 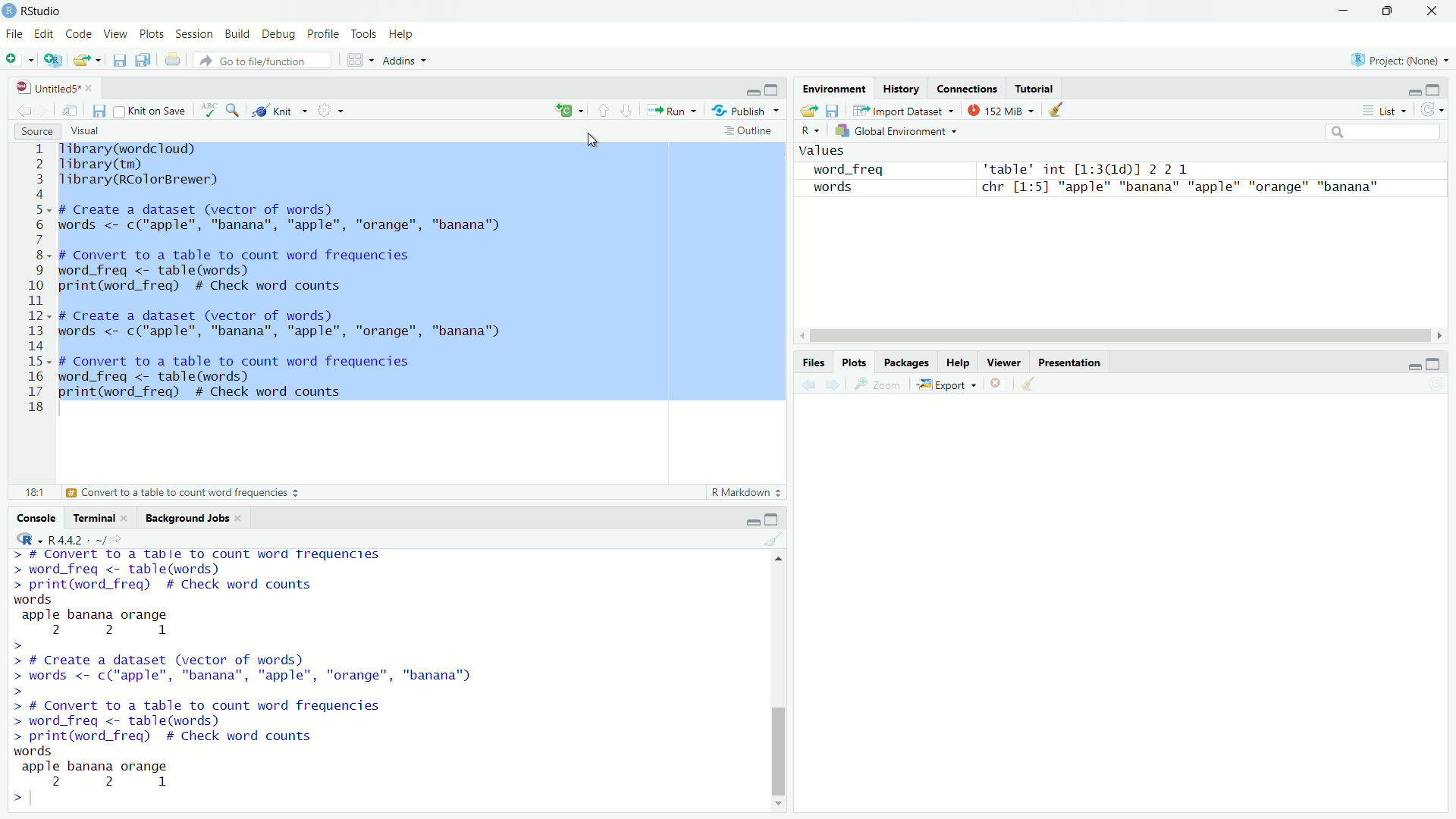 I want to click on Create a Project, so click(x=55, y=61).